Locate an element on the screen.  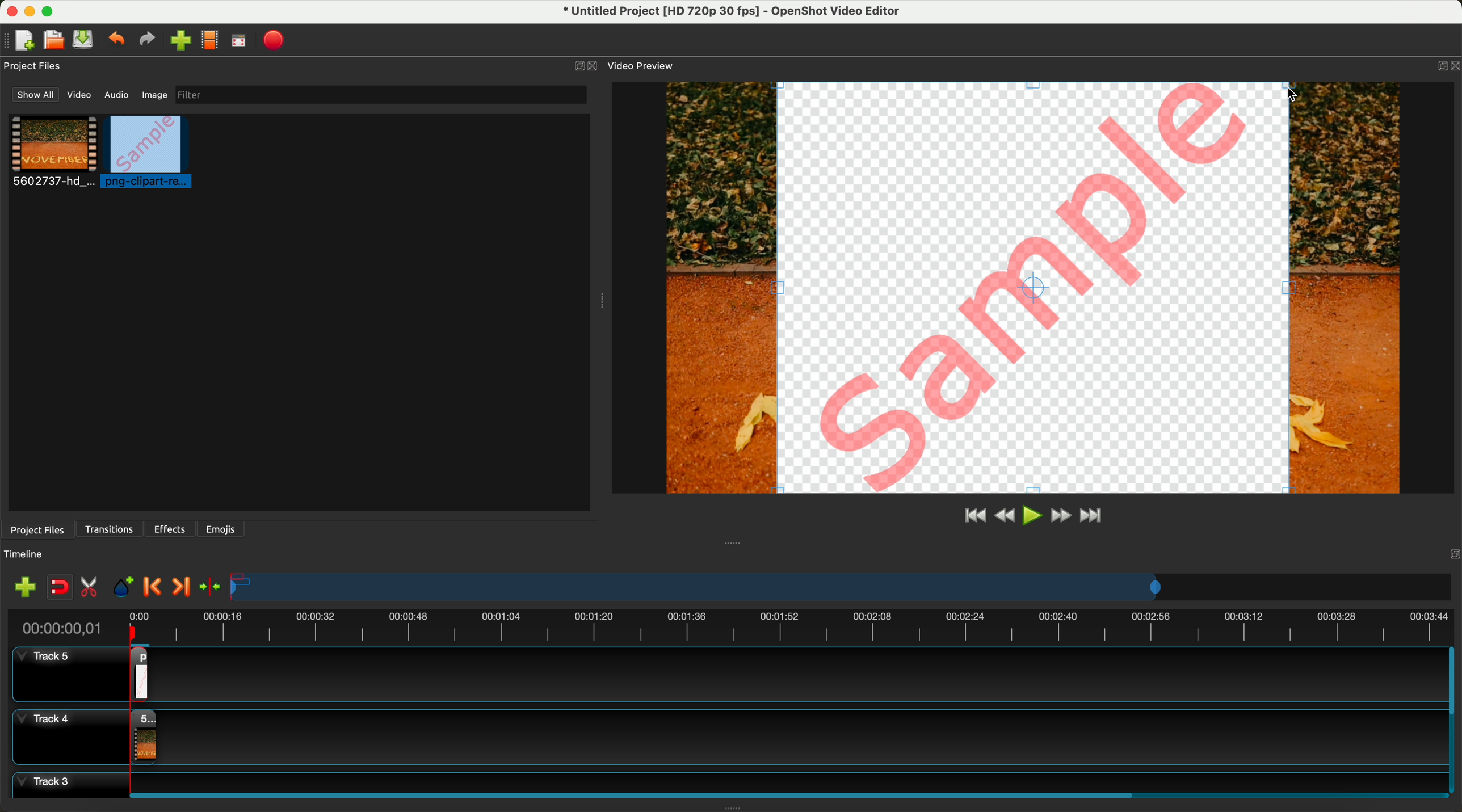
BUTTON is located at coordinates (1439, 63).